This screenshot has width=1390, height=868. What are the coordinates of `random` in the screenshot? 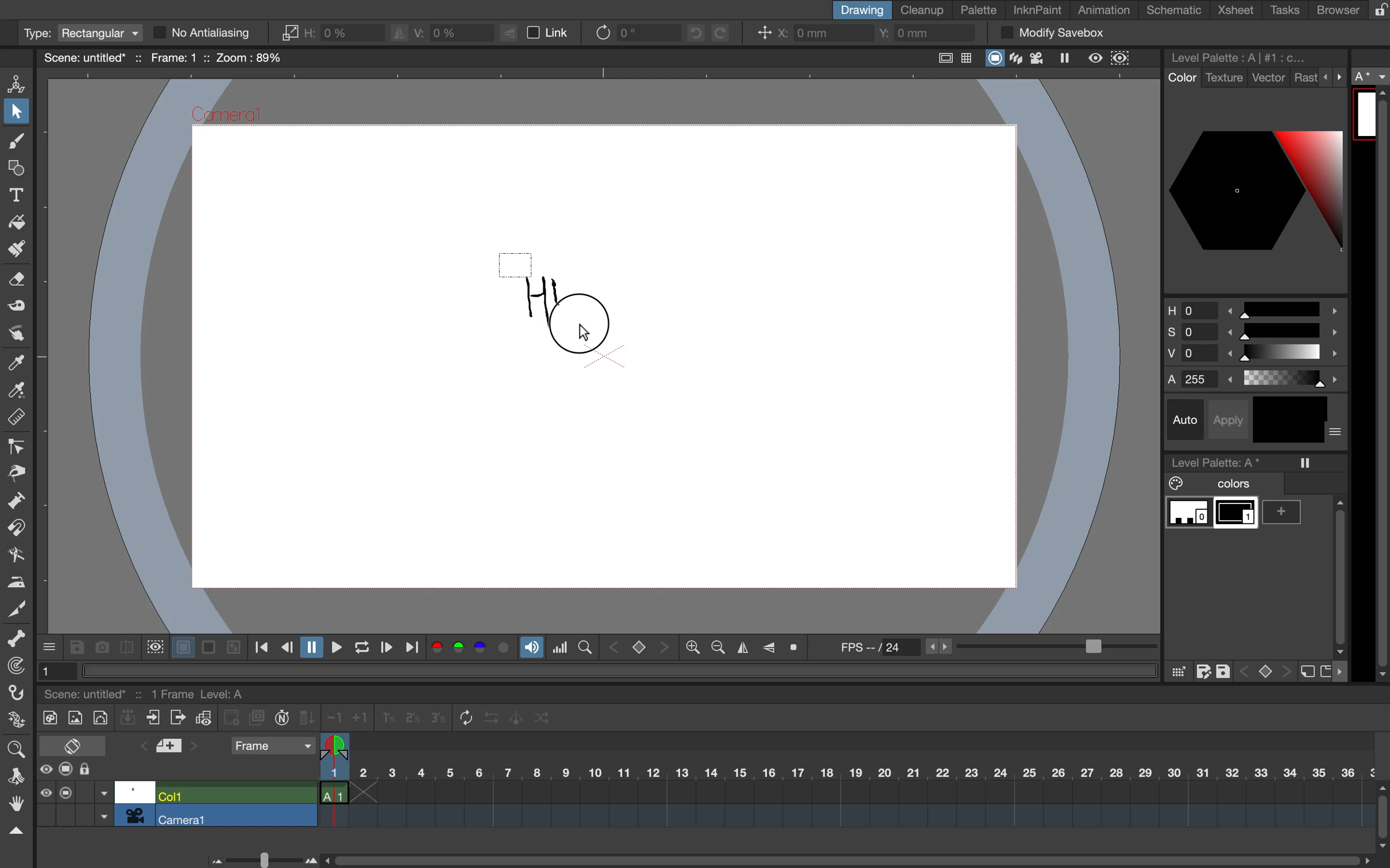 It's located at (543, 720).